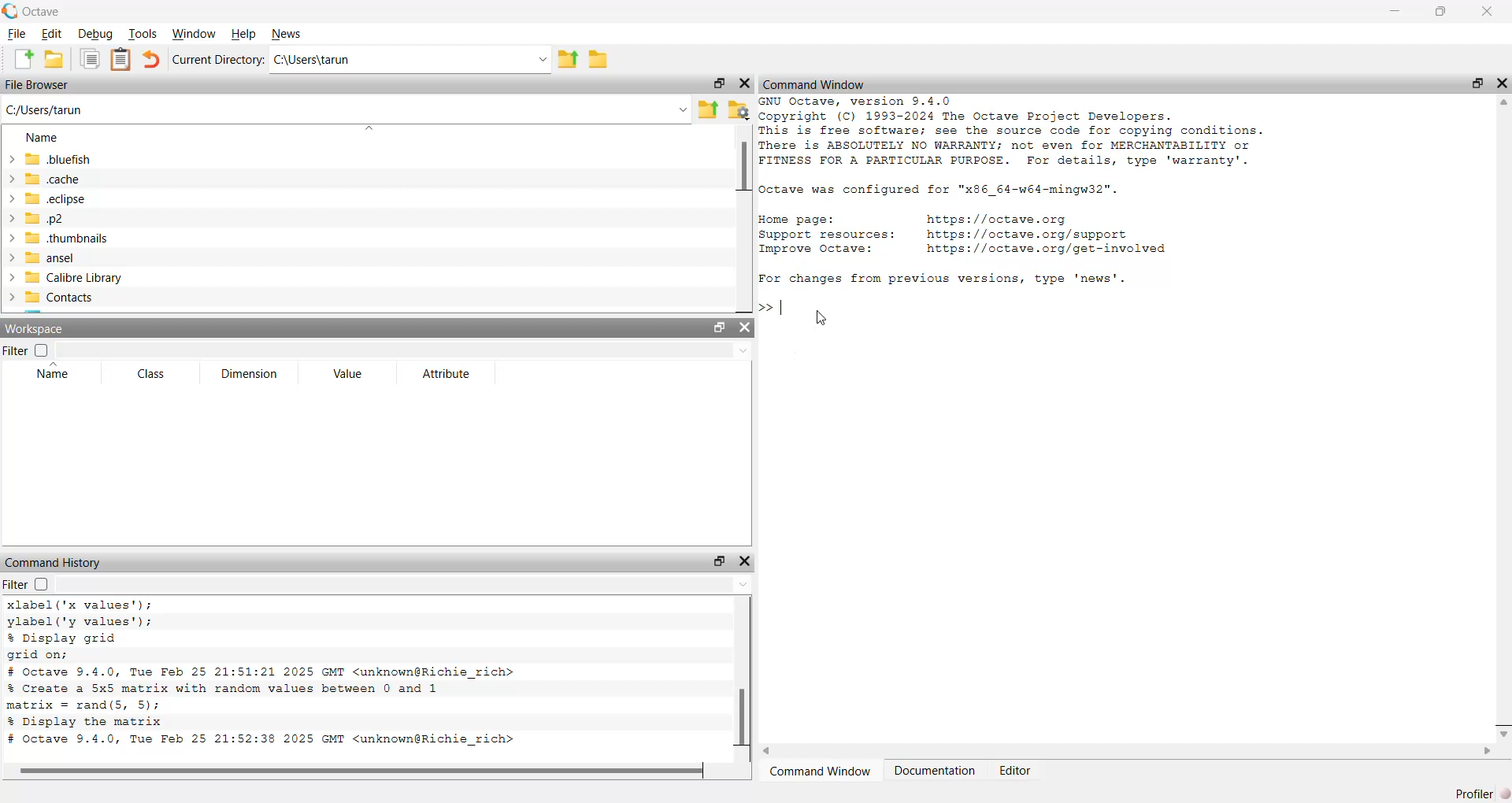 This screenshot has width=1512, height=803. I want to click on close, so click(749, 562).